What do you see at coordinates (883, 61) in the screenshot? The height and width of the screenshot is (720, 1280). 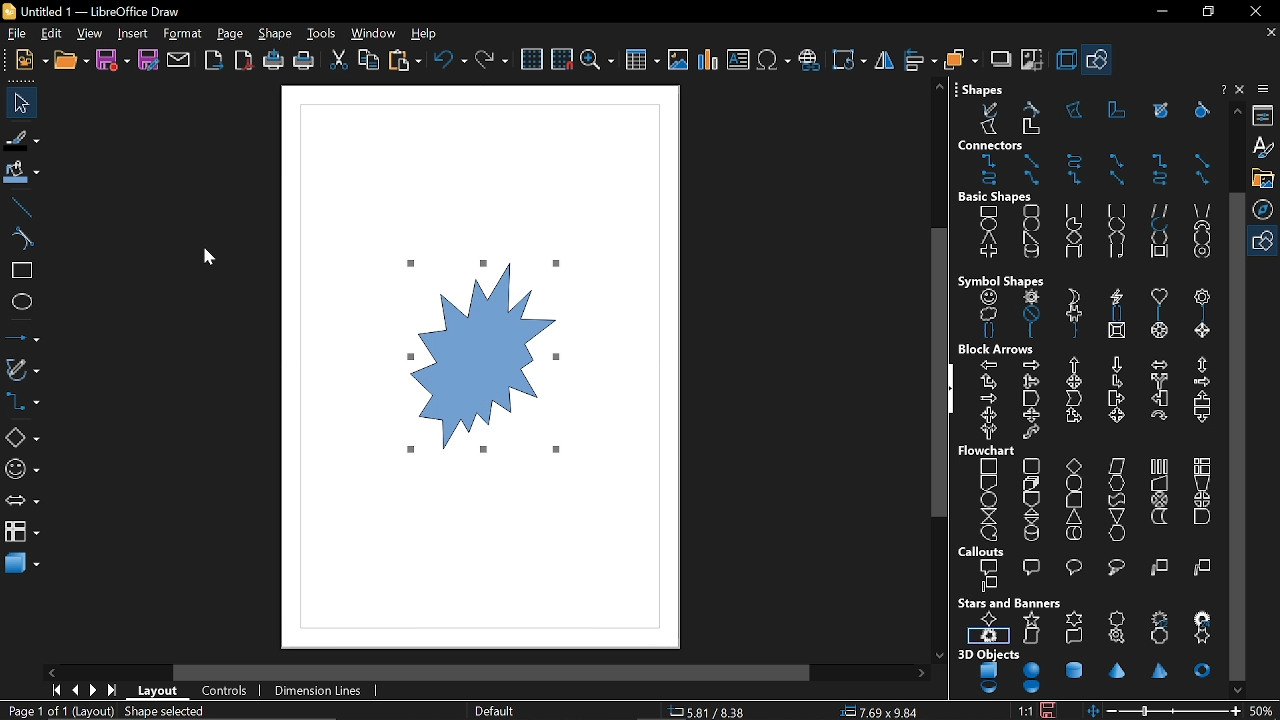 I see `Flip` at bounding box center [883, 61].